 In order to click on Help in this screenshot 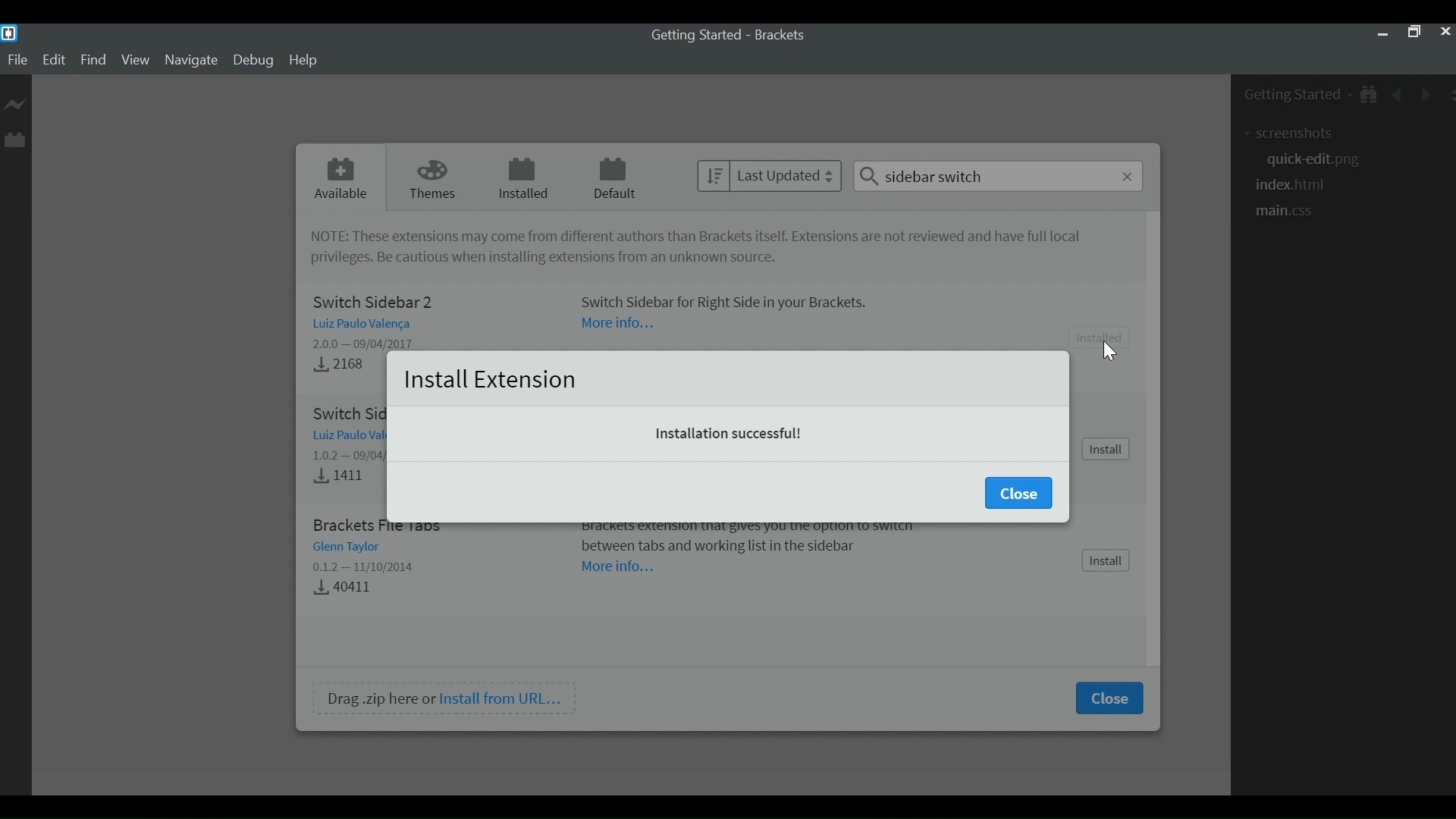, I will do `click(304, 61)`.